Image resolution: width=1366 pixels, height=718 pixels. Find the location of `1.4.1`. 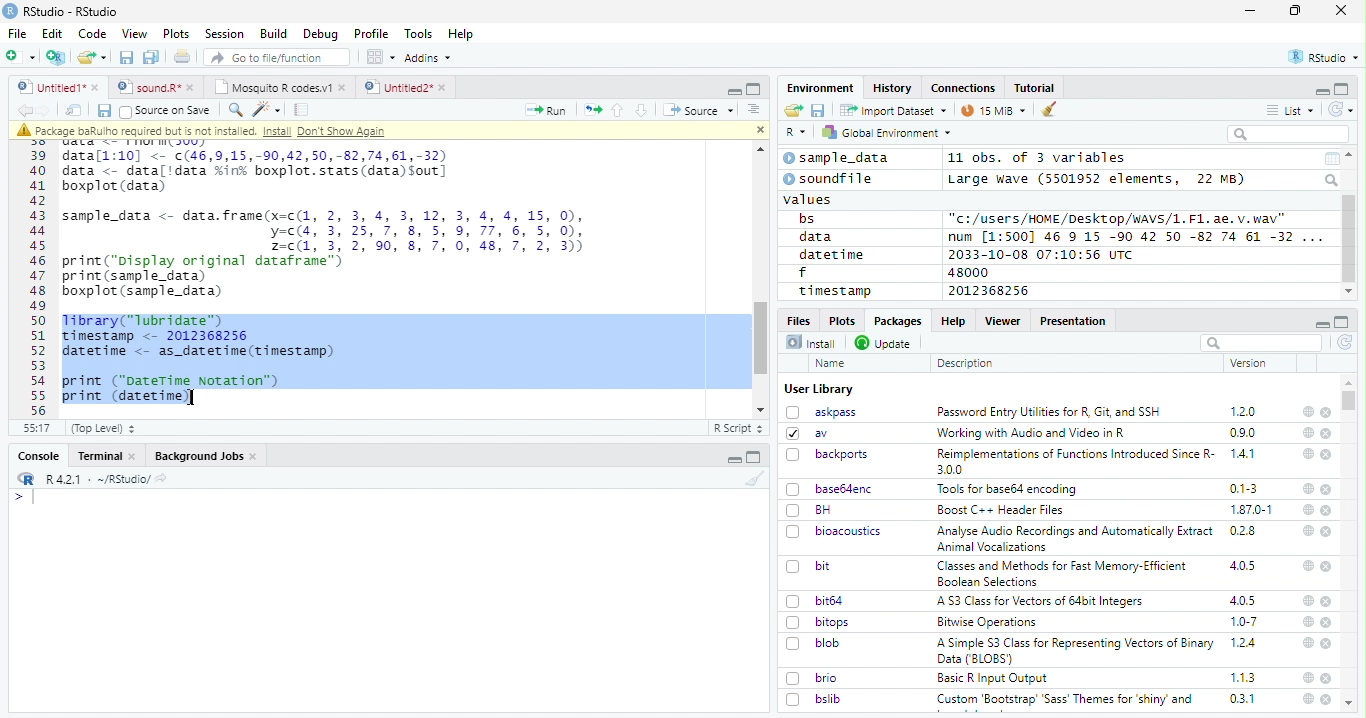

1.4.1 is located at coordinates (1244, 453).